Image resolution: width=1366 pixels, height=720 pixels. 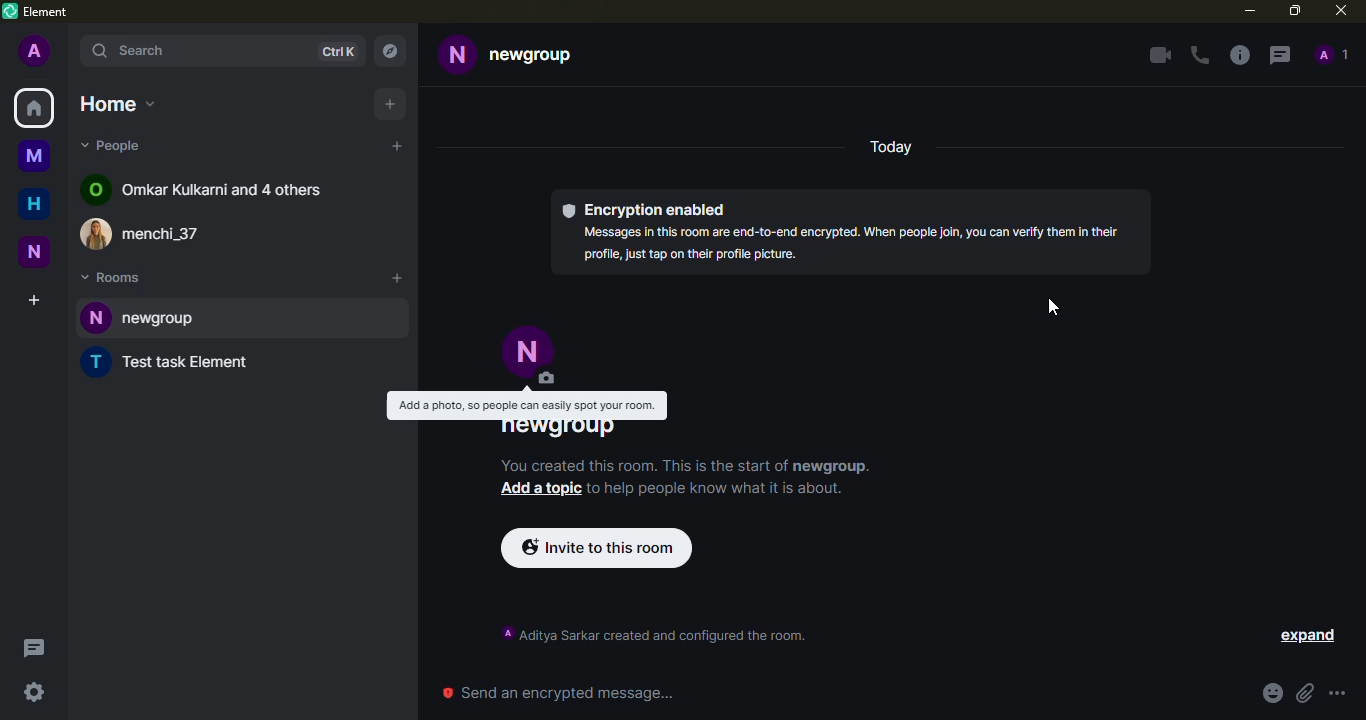 I want to click on ‘You created this room. This is the start of newgroup., so click(x=685, y=467).